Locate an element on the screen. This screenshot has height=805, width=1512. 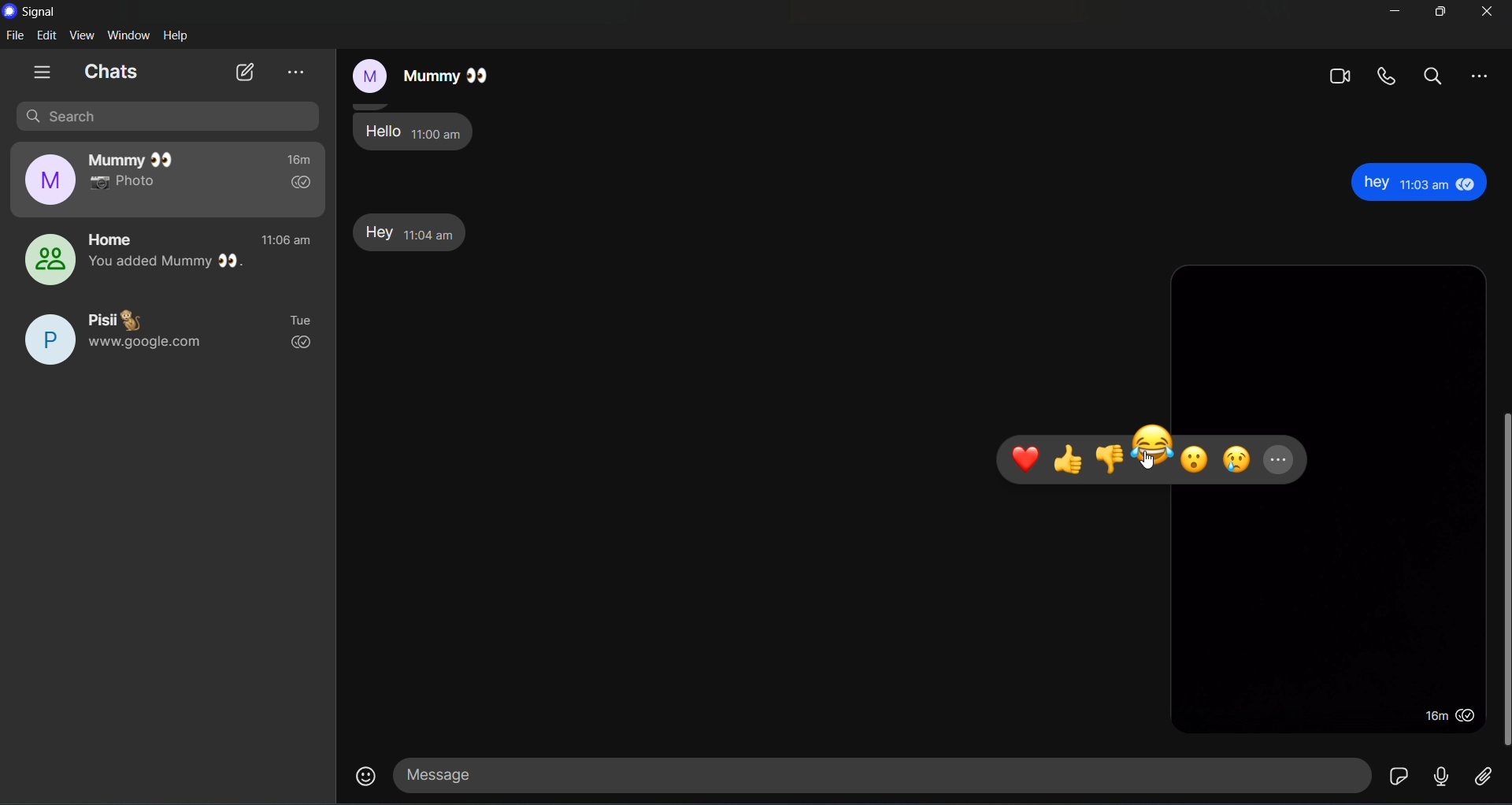
logo is located at coordinates (12, 11).